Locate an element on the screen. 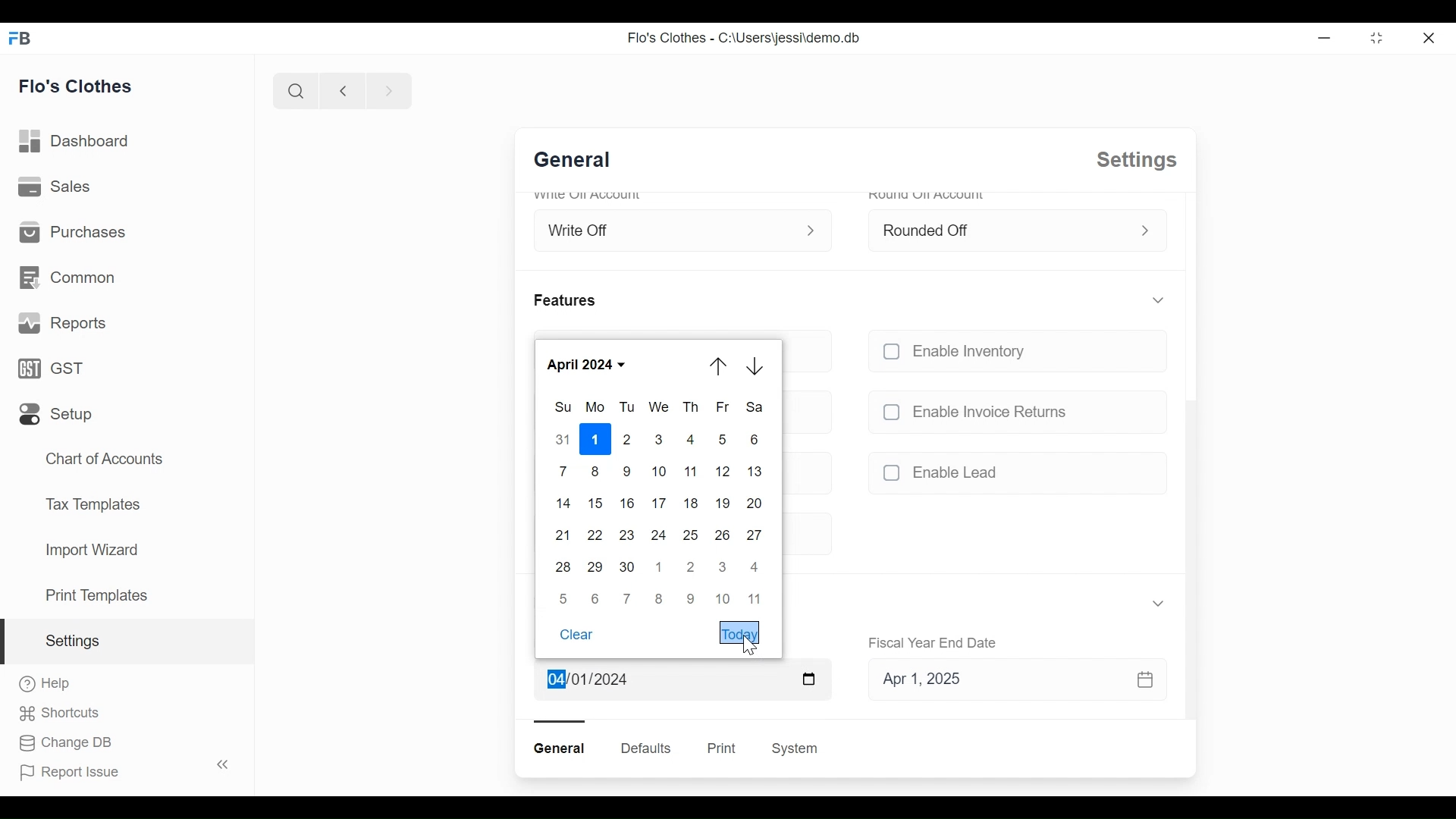 The image size is (1456, 819). 22 is located at coordinates (594, 535).